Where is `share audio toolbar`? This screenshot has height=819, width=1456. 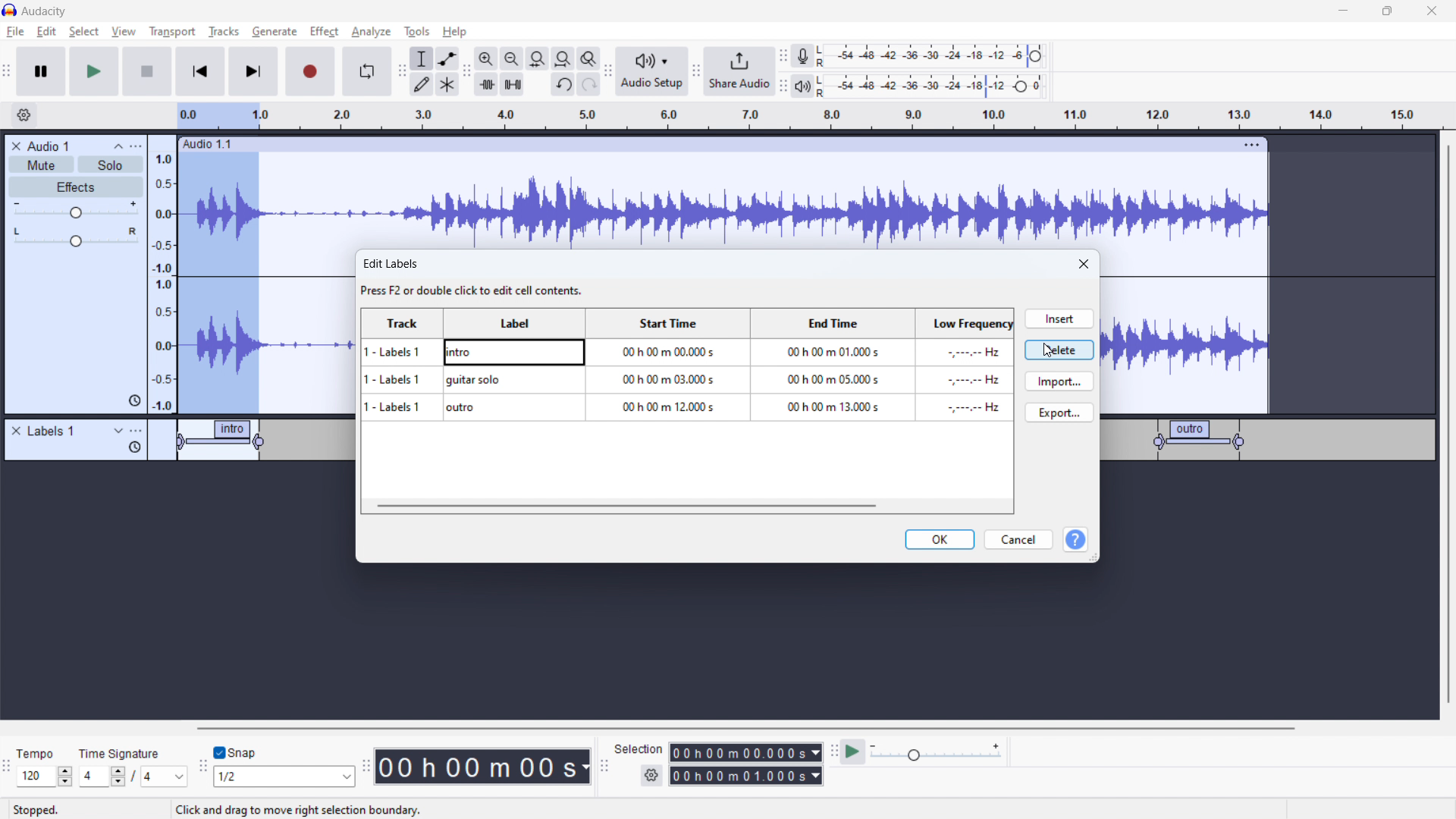 share audio toolbar is located at coordinates (696, 73).